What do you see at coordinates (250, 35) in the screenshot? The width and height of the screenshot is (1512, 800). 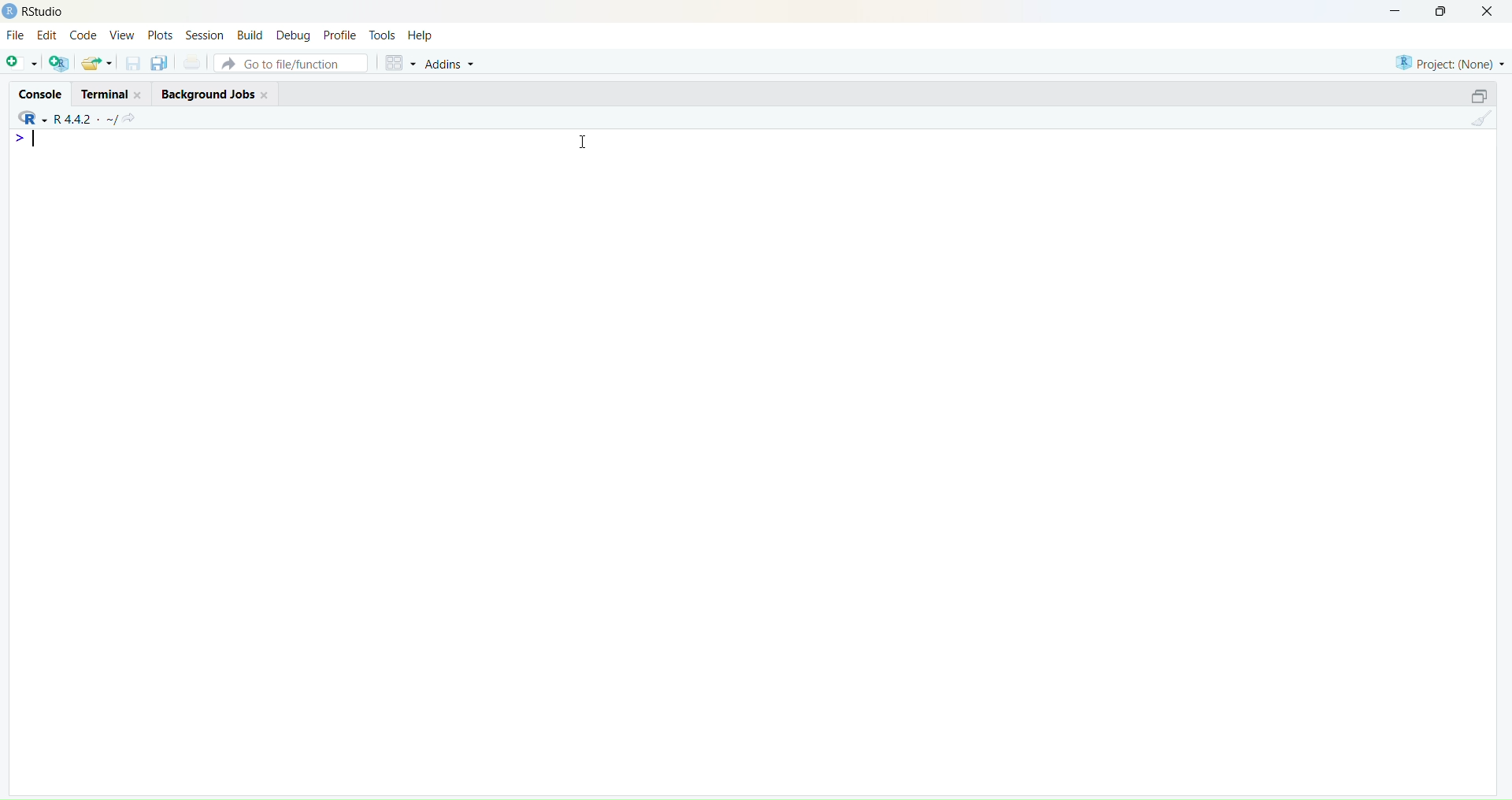 I see `Build` at bounding box center [250, 35].